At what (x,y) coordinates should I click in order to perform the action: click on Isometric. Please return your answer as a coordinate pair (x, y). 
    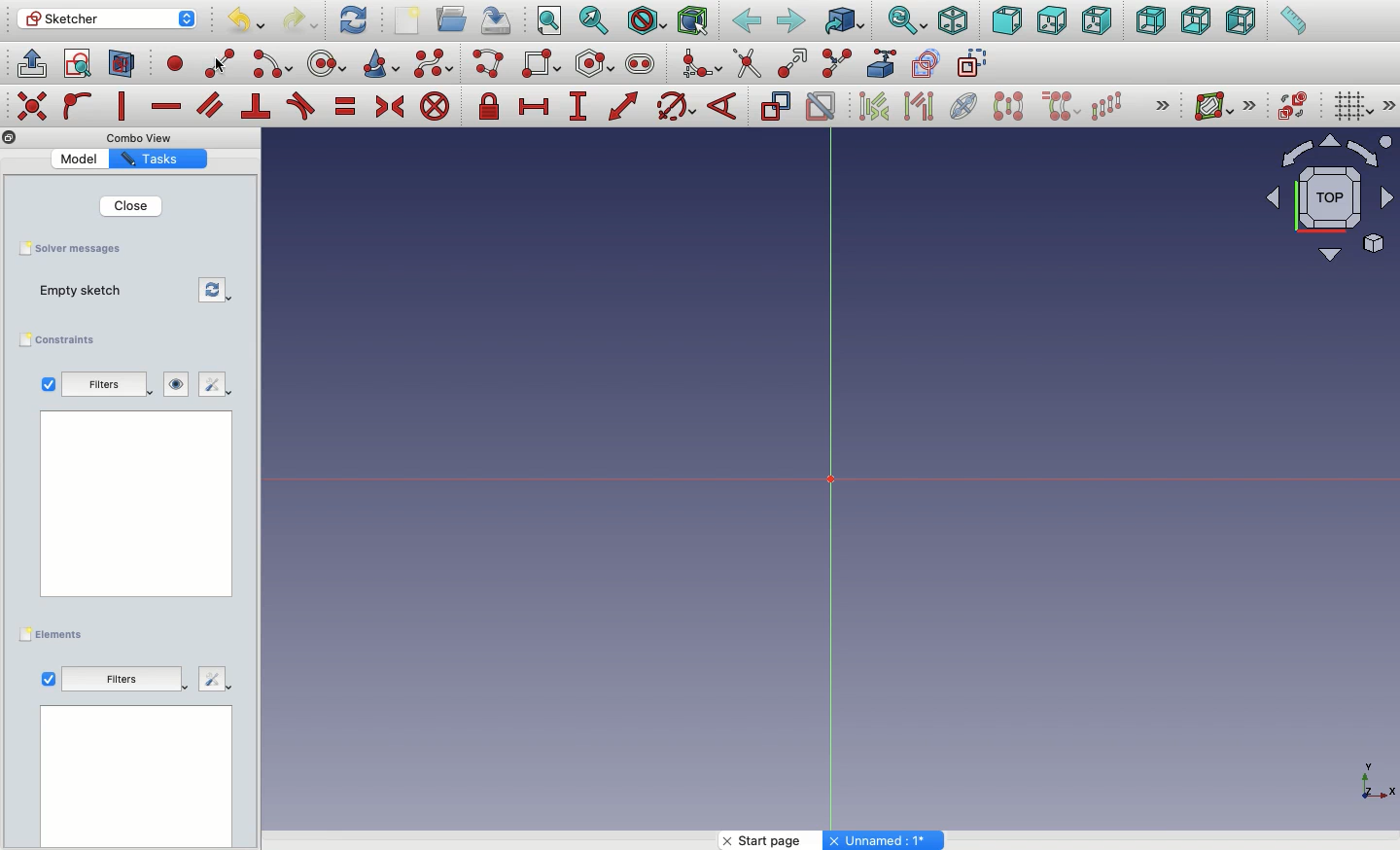
    Looking at the image, I should click on (953, 20).